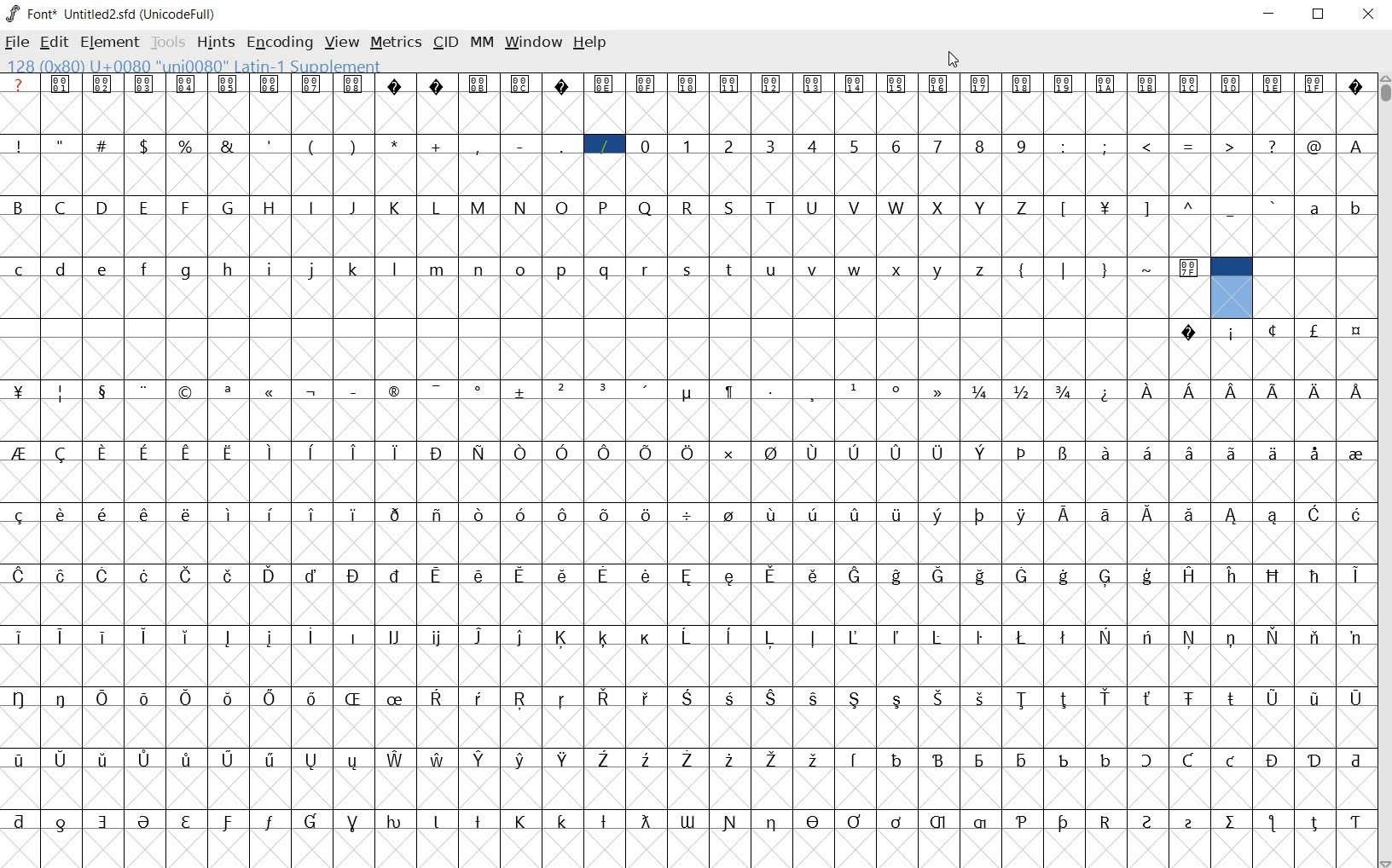 The height and width of the screenshot is (868, 1392). I want to click on Symbol, so click(146, 758).